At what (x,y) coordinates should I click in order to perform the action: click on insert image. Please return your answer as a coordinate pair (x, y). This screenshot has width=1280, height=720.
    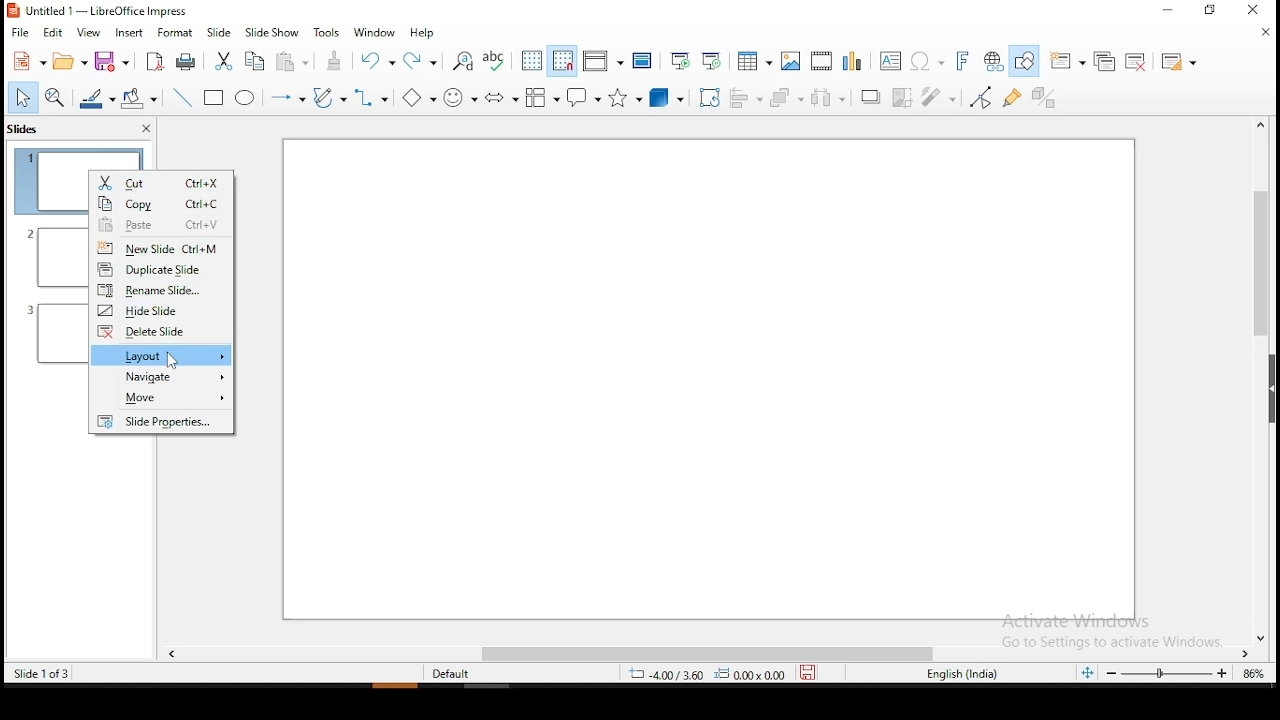
    Looking at the image, I should click on (789, 62).